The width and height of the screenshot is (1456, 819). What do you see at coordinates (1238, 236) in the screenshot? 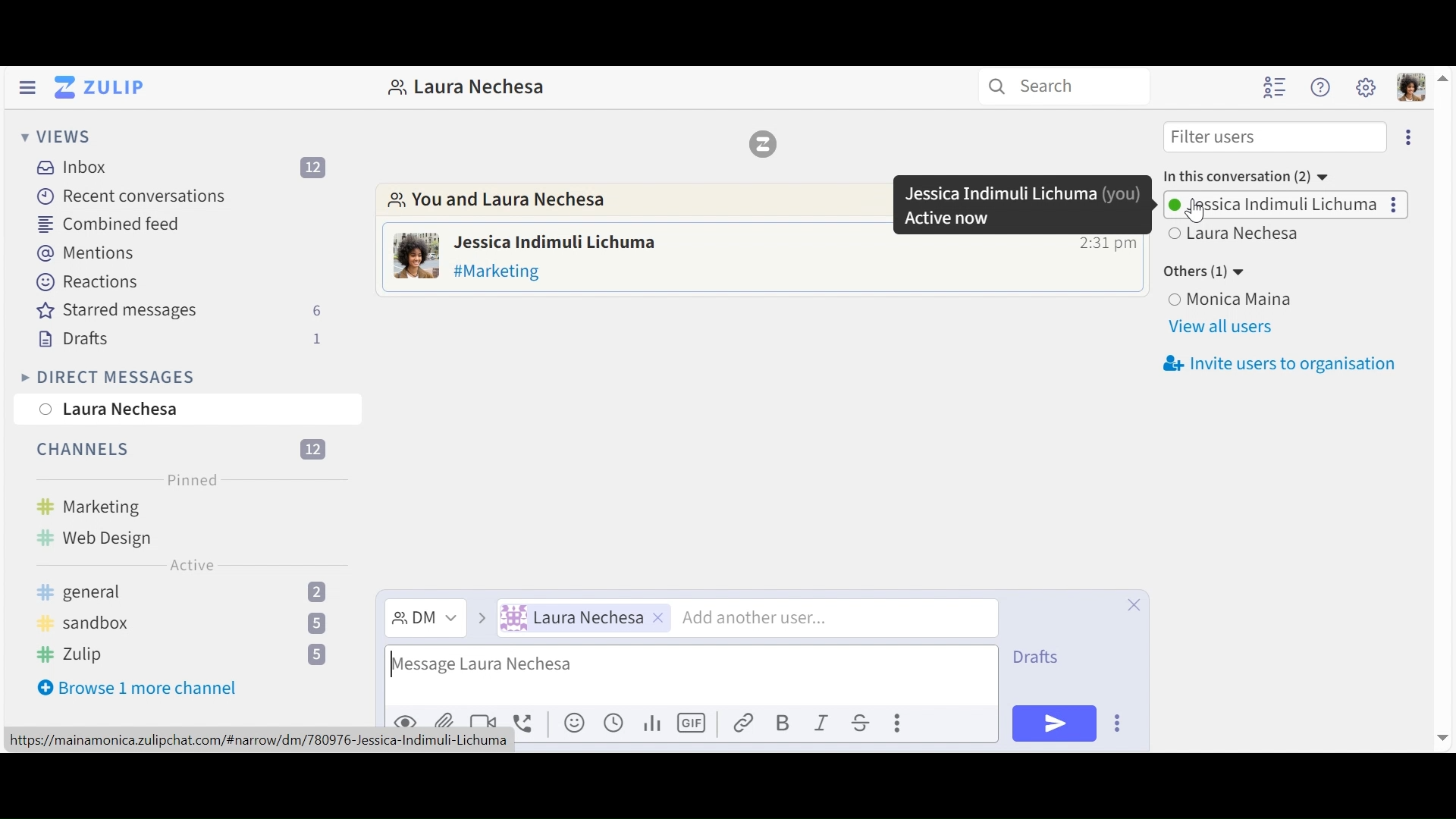
I see `user 2` at bounding box center [1238, 236].